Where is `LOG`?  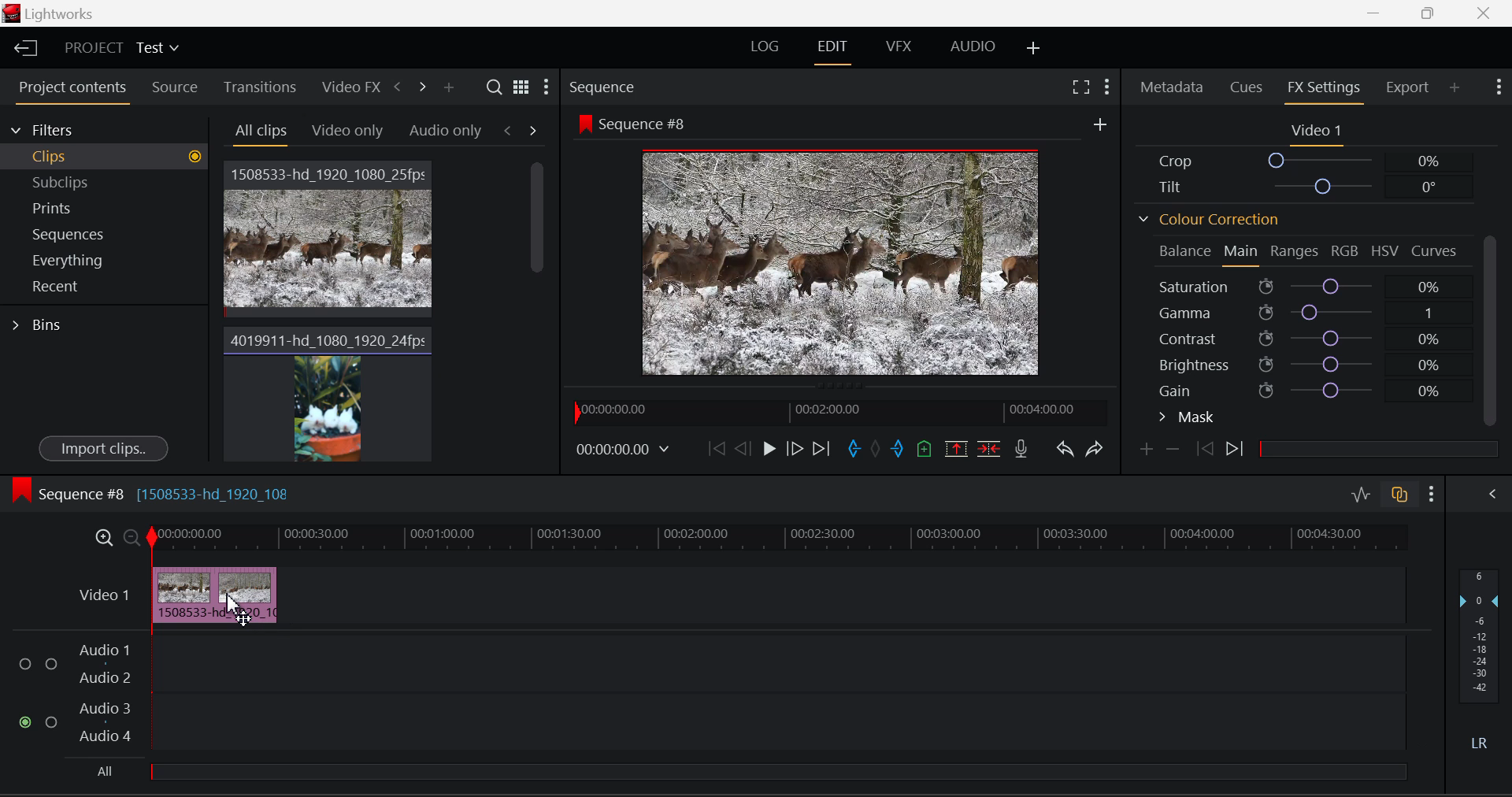
LOG is located at coordinates (767, 46).